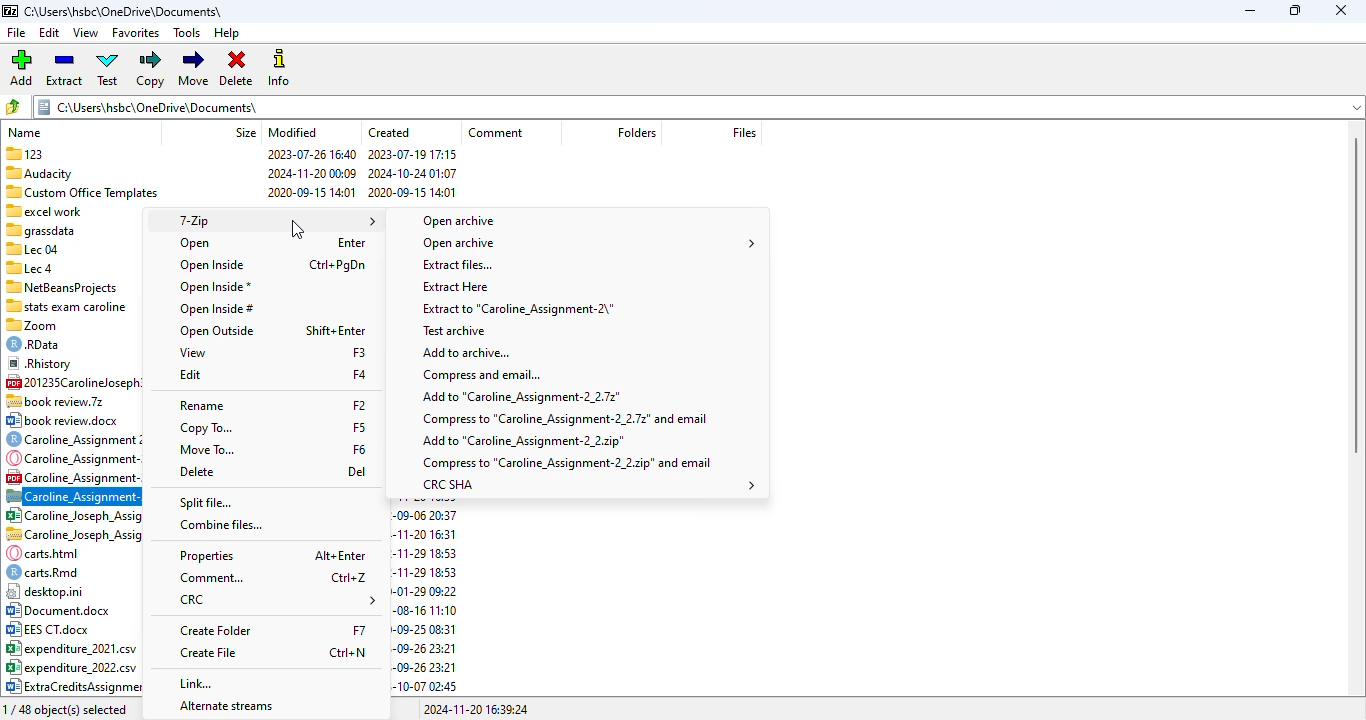 Image resolution: width=1366 pixels, height=720 pixels. Describe the element at coordinates (698, 106) in the screenshot. I see `folder` at that location.